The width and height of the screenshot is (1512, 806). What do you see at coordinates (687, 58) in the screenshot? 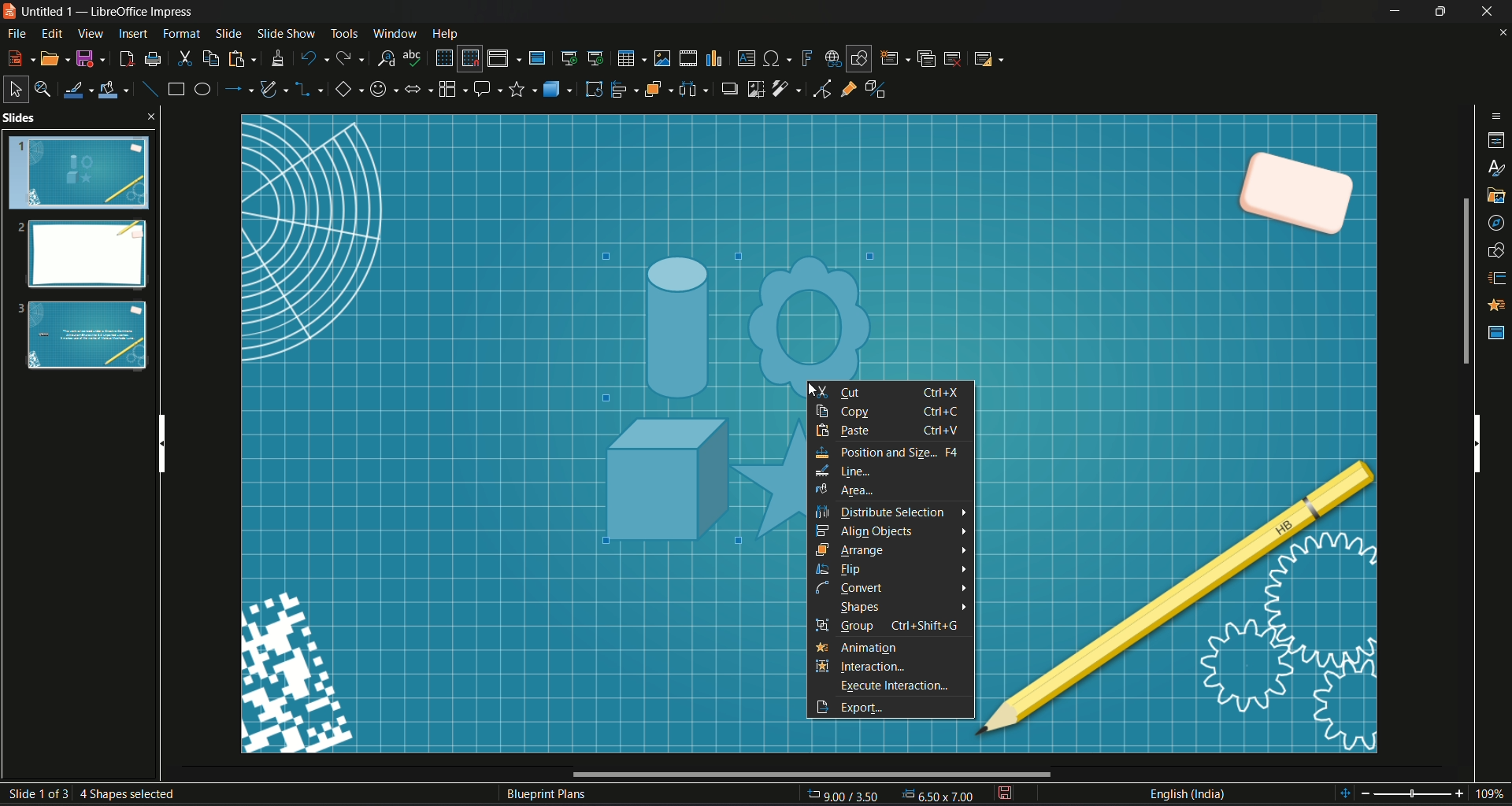
I see `insert audio video` at bounding box center [687, 58].